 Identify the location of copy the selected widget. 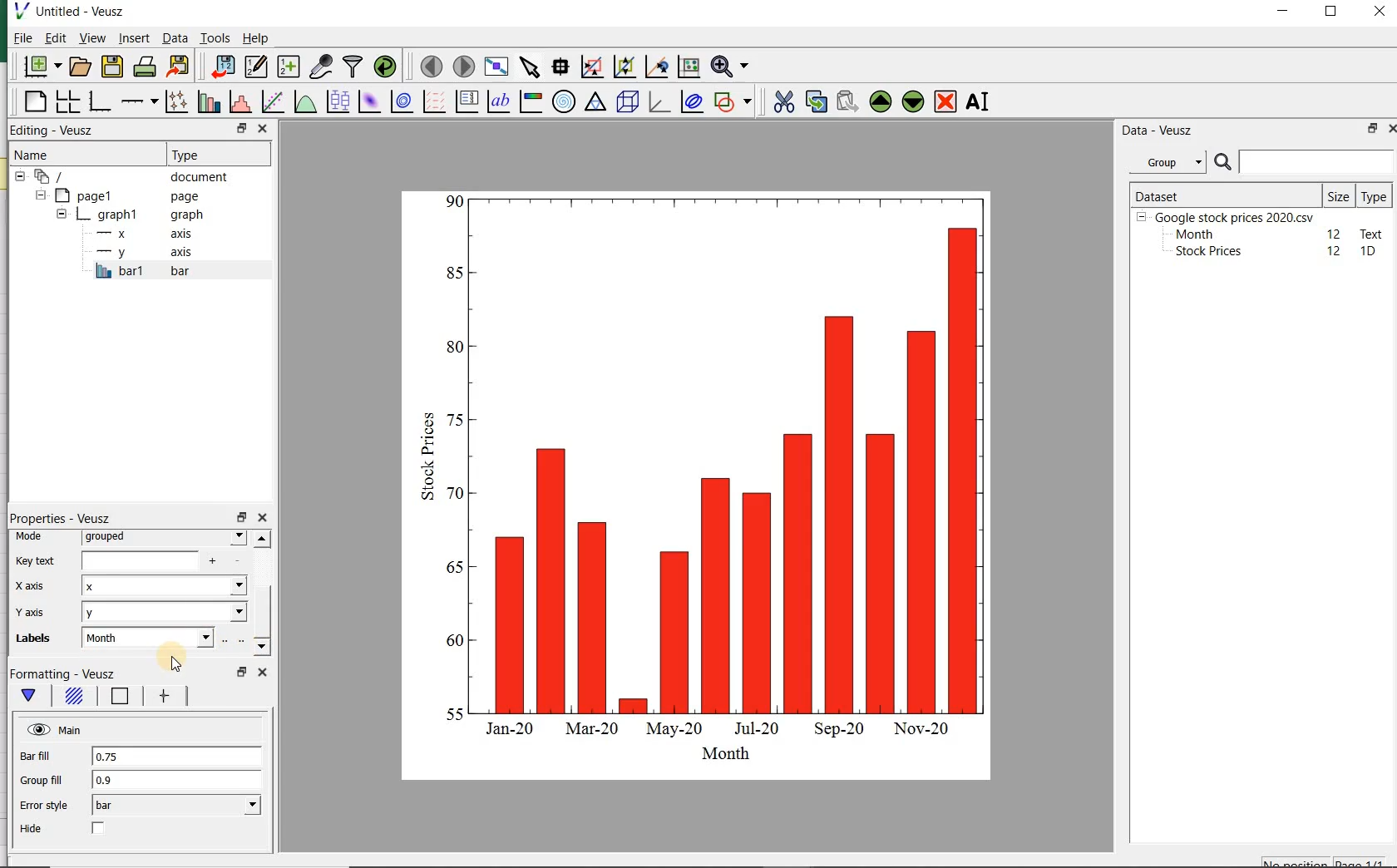
(815, 102).